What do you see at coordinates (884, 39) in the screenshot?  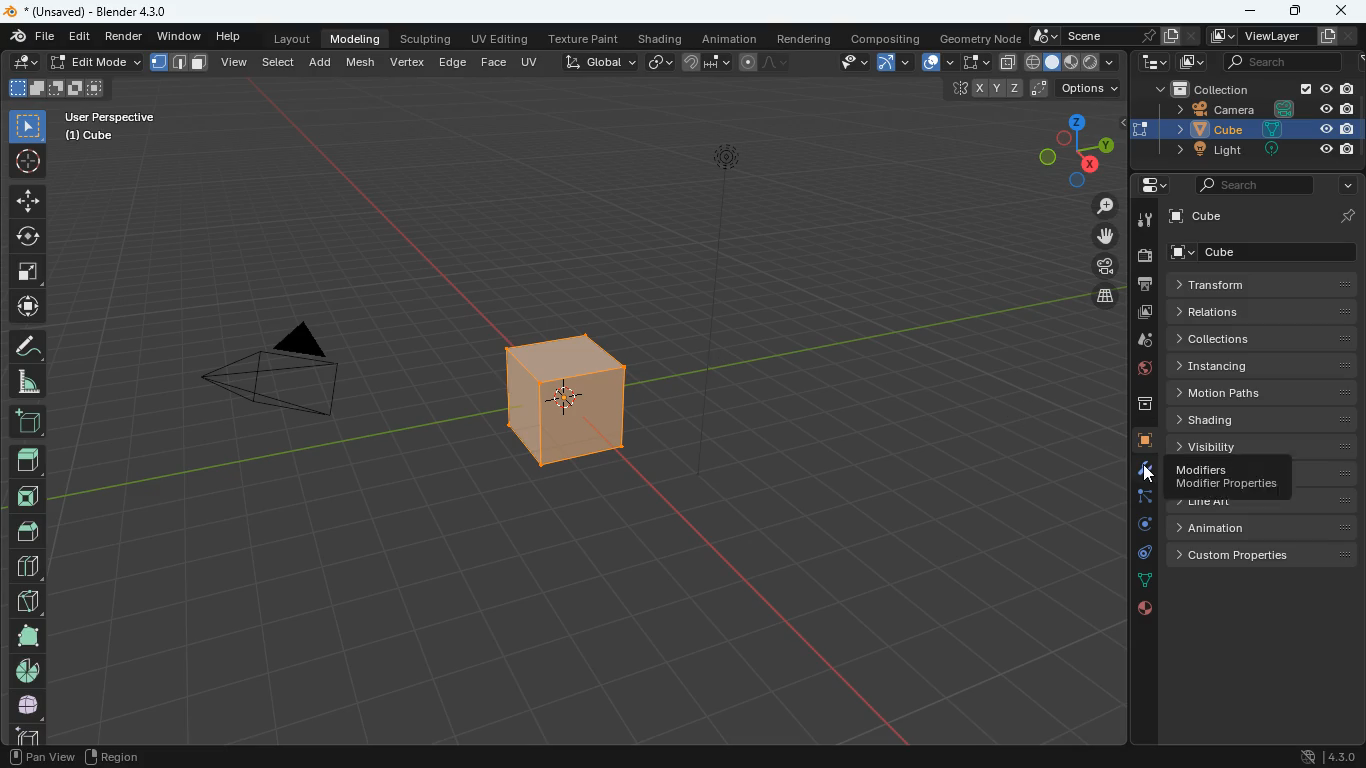 I see `compositing` at bounding box center [884, 39].